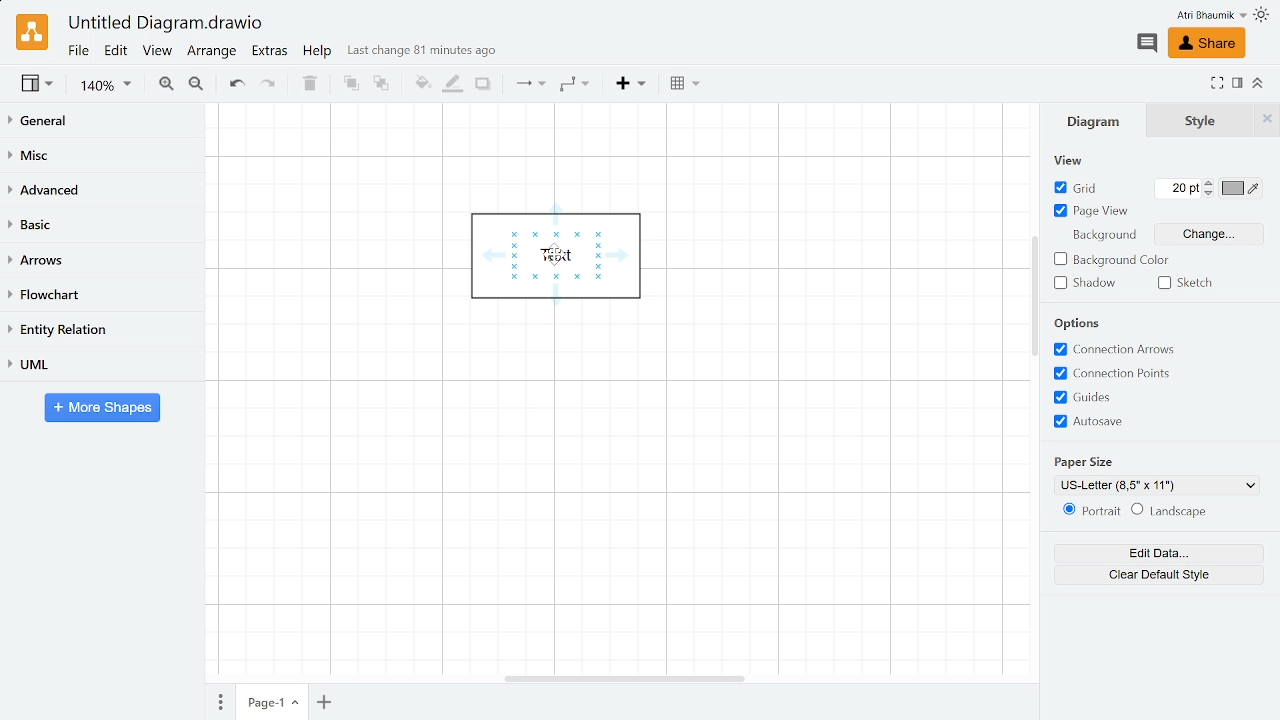 This screenshot has height=720, width=1280. I want to click on Increase grid pt, so click(1211, 182).